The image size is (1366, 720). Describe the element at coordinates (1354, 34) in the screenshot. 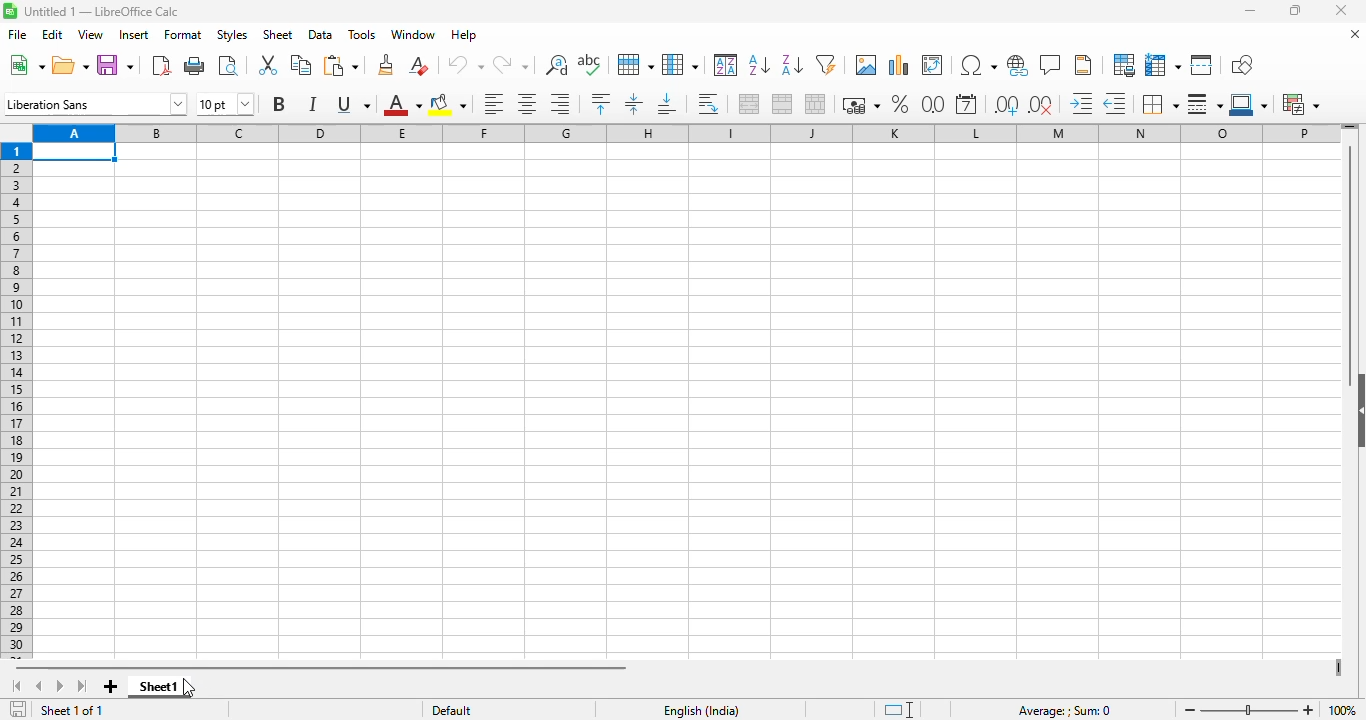

I see `close document` at that location.